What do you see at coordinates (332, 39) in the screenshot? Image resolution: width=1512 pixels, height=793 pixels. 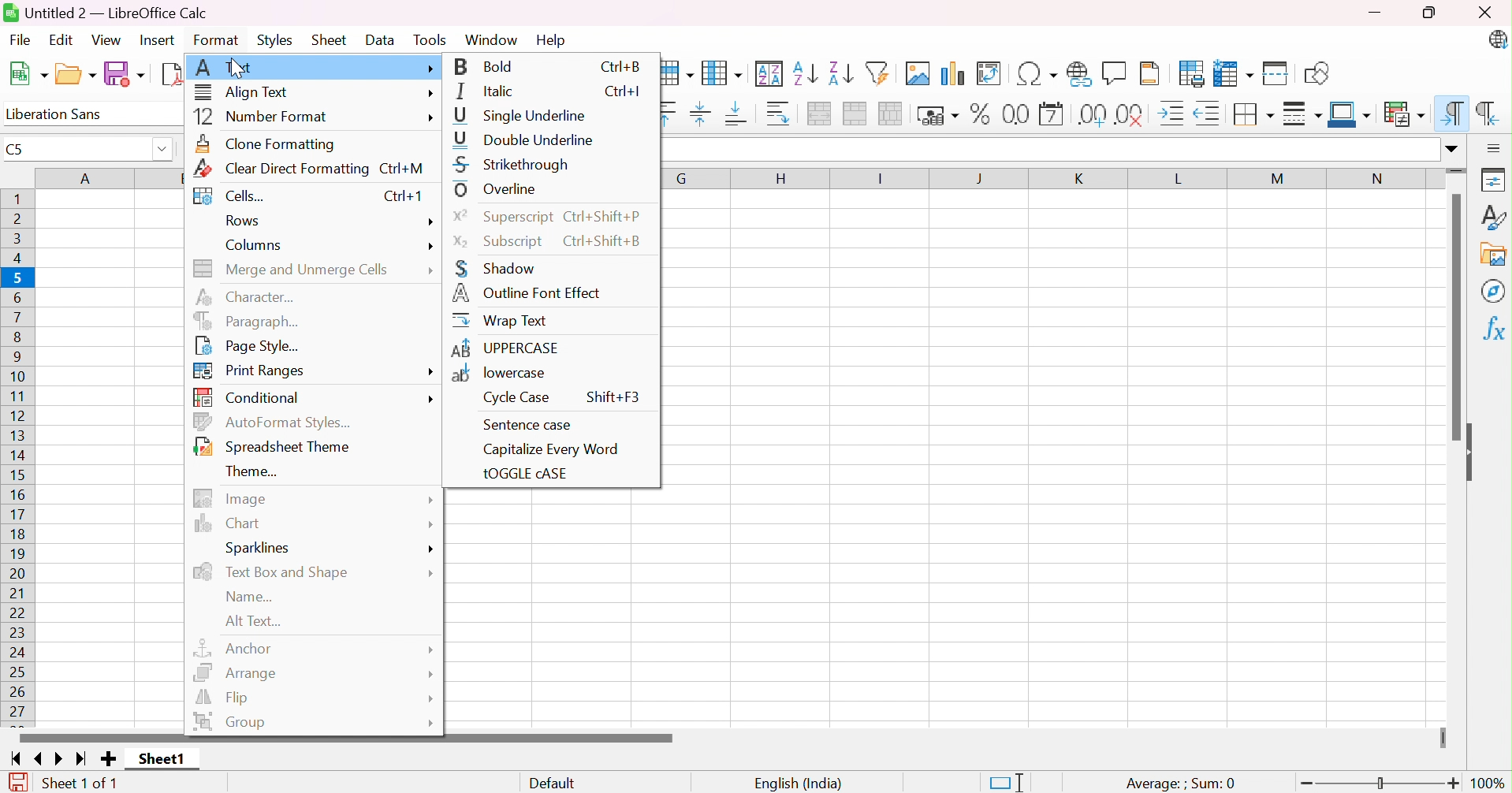 I see `Sheet` at bounding box center [332, 39].